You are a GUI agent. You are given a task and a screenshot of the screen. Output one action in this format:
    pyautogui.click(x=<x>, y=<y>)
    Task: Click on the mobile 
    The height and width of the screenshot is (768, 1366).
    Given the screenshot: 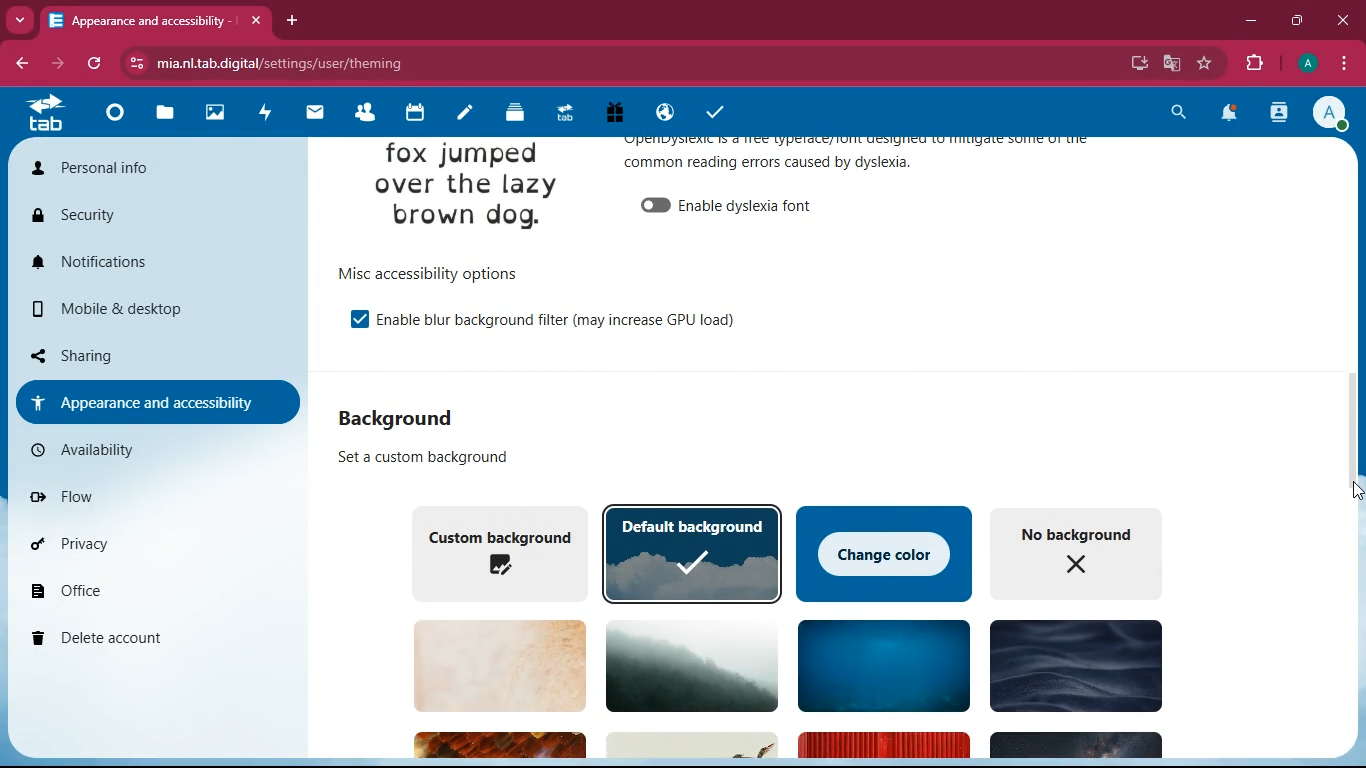 What is the action you would take?
    pyautogui.click(x=155, y=311)
    